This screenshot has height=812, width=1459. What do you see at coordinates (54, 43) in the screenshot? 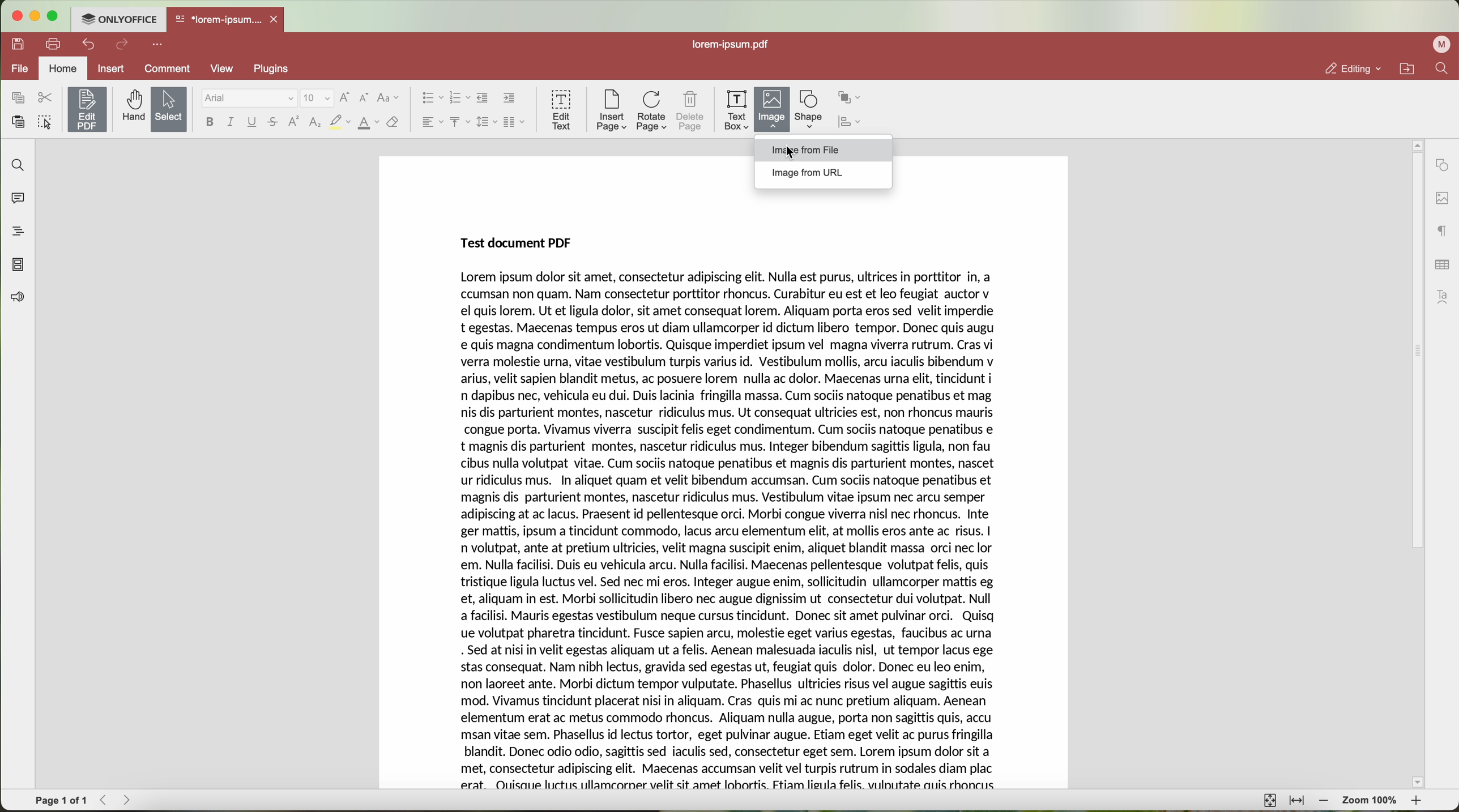
I see `print` at bounding box center [54, 43].